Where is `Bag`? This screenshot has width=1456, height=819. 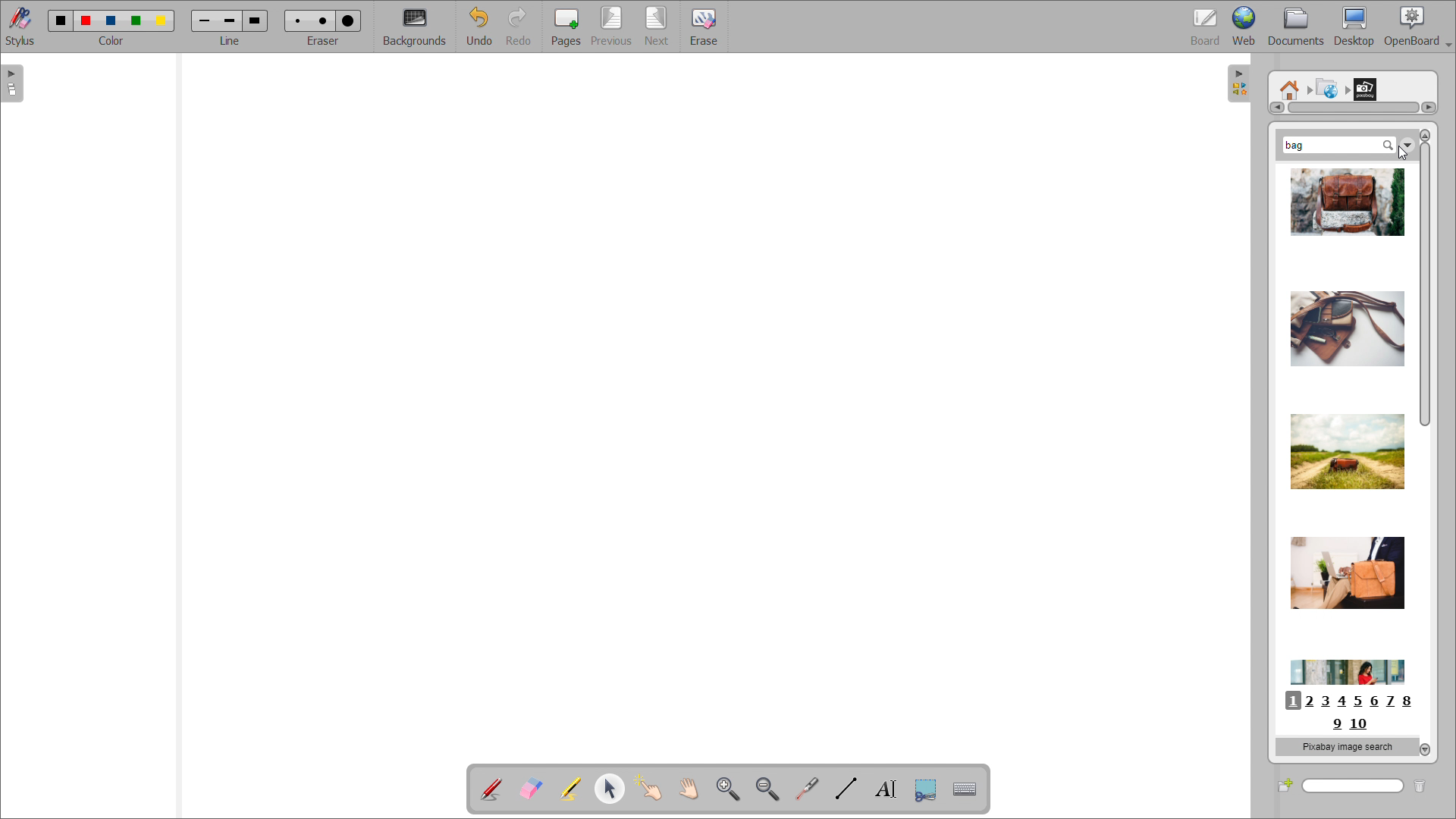
Bag is located at coordinates (1301, 143).